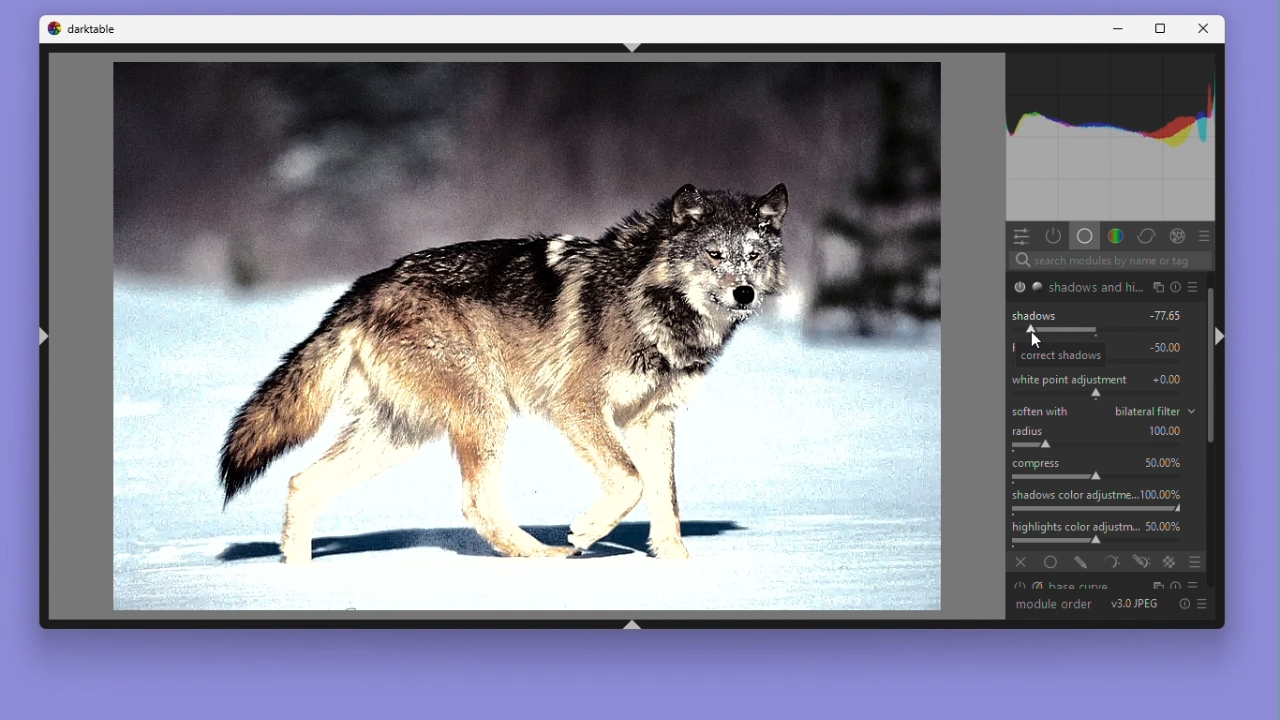 The width and height of the screenshot is (1280, 720). What do you see at coordinates (1171, 564) in the screenshot?
I see `raster mask` at bounding box center [1171, 564].